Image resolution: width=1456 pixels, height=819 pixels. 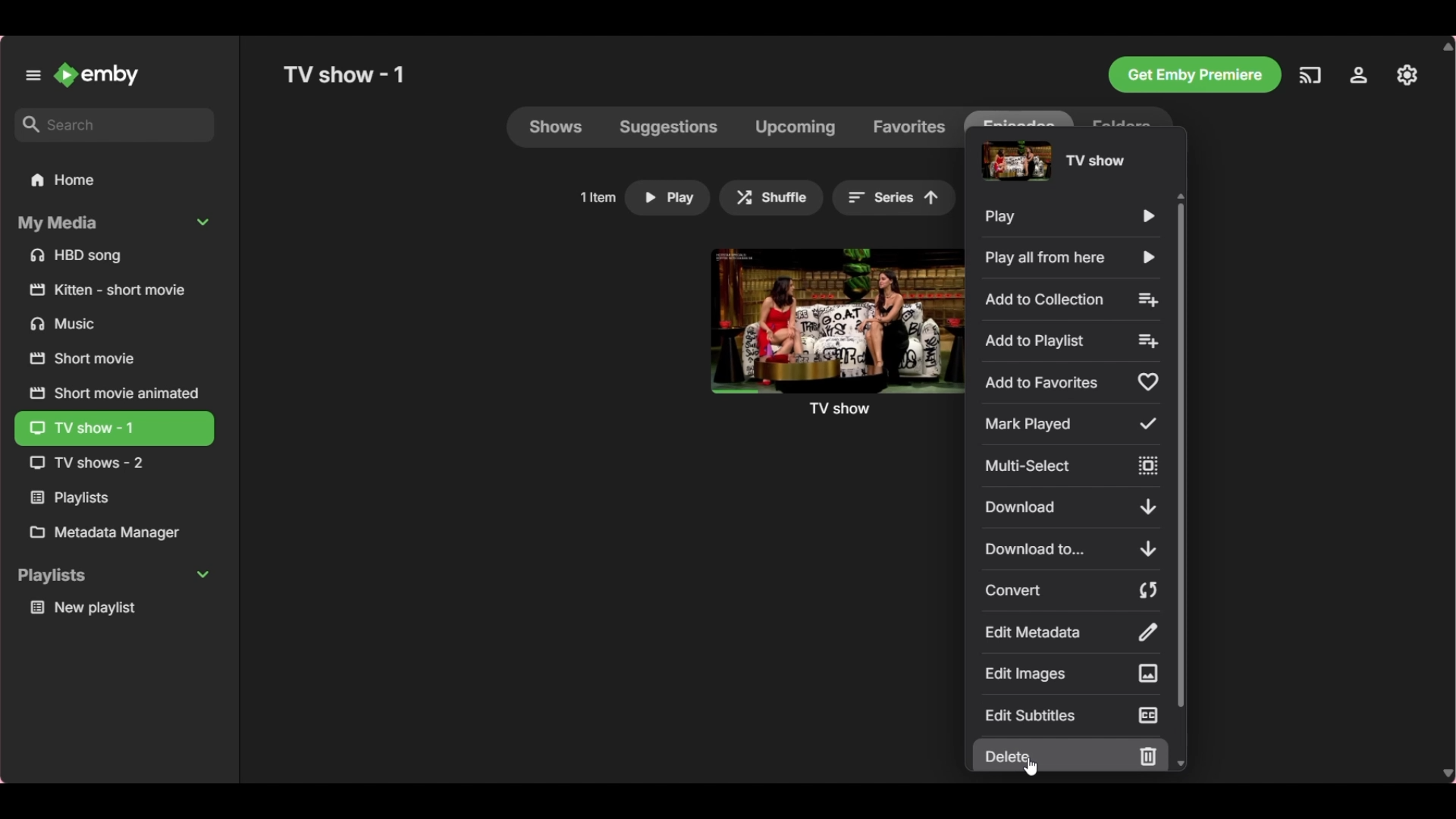 I want to click on Download, so click(x=1070, y=507).